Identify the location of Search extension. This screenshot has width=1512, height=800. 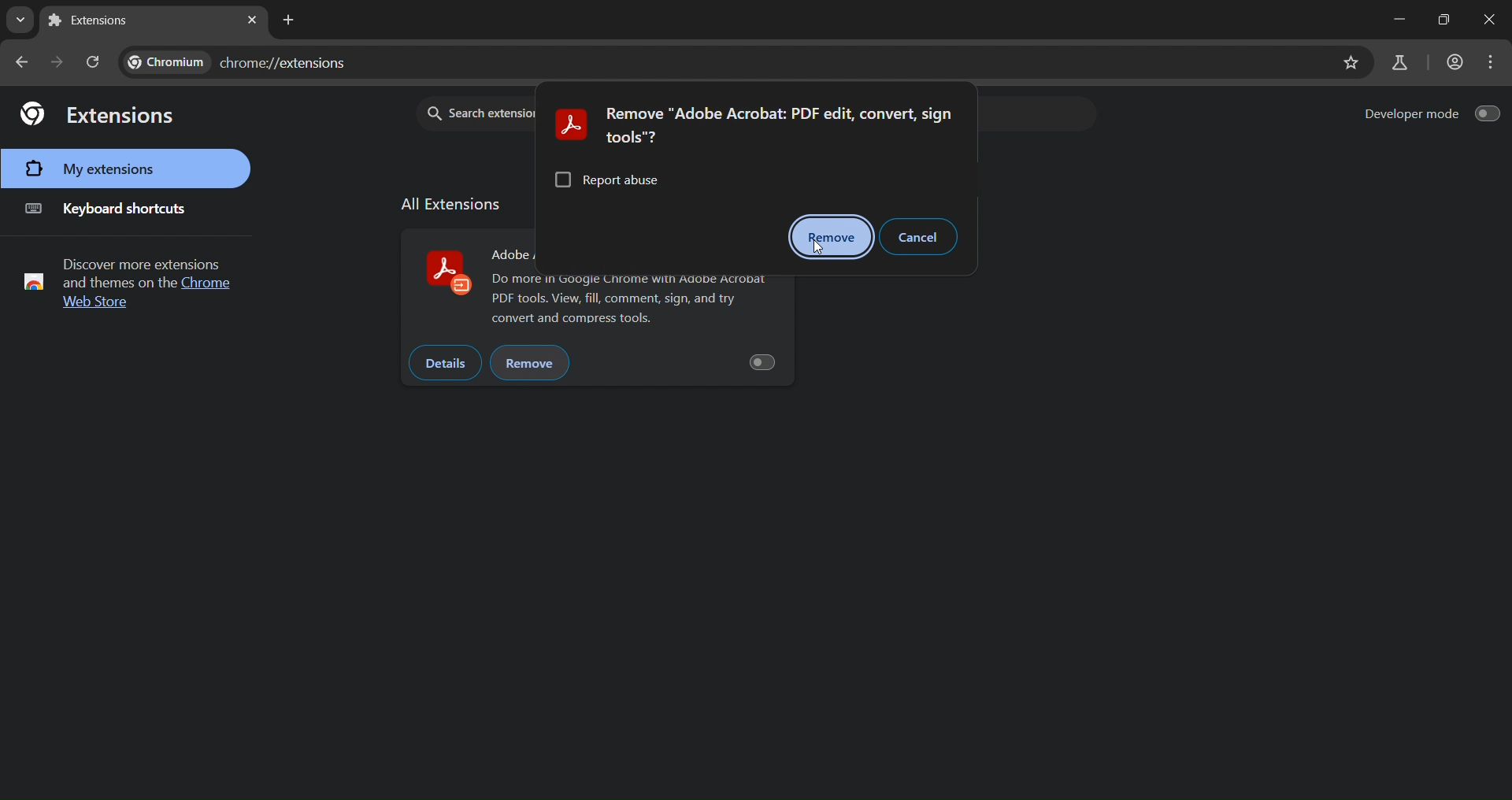
(483, 112).